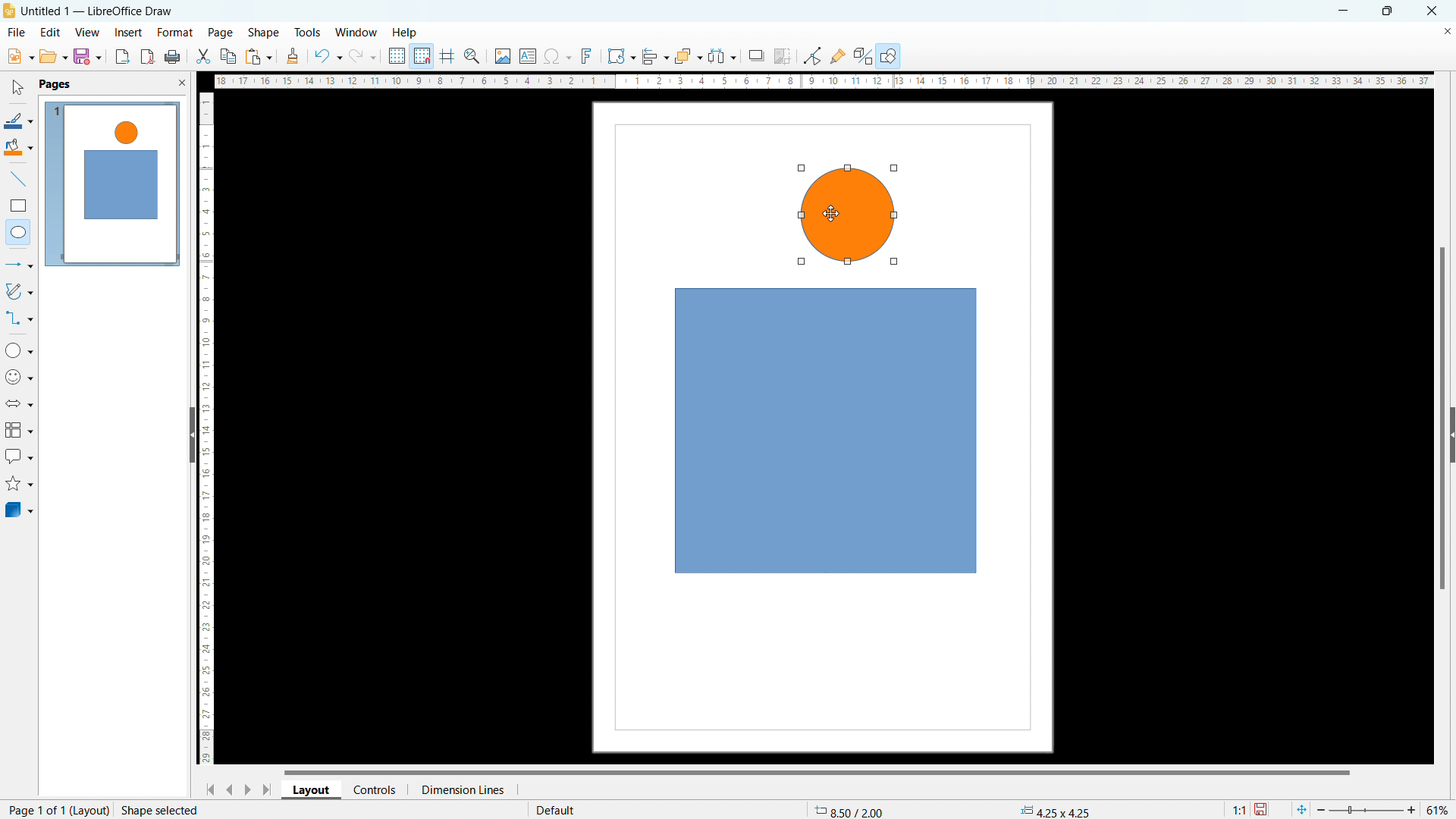 The width and height of the screenshot is (1456, 819). What do you see at coordinates (462, 789) in the screenshot?
I see `dimension lines` at bounding box center [462, 789].